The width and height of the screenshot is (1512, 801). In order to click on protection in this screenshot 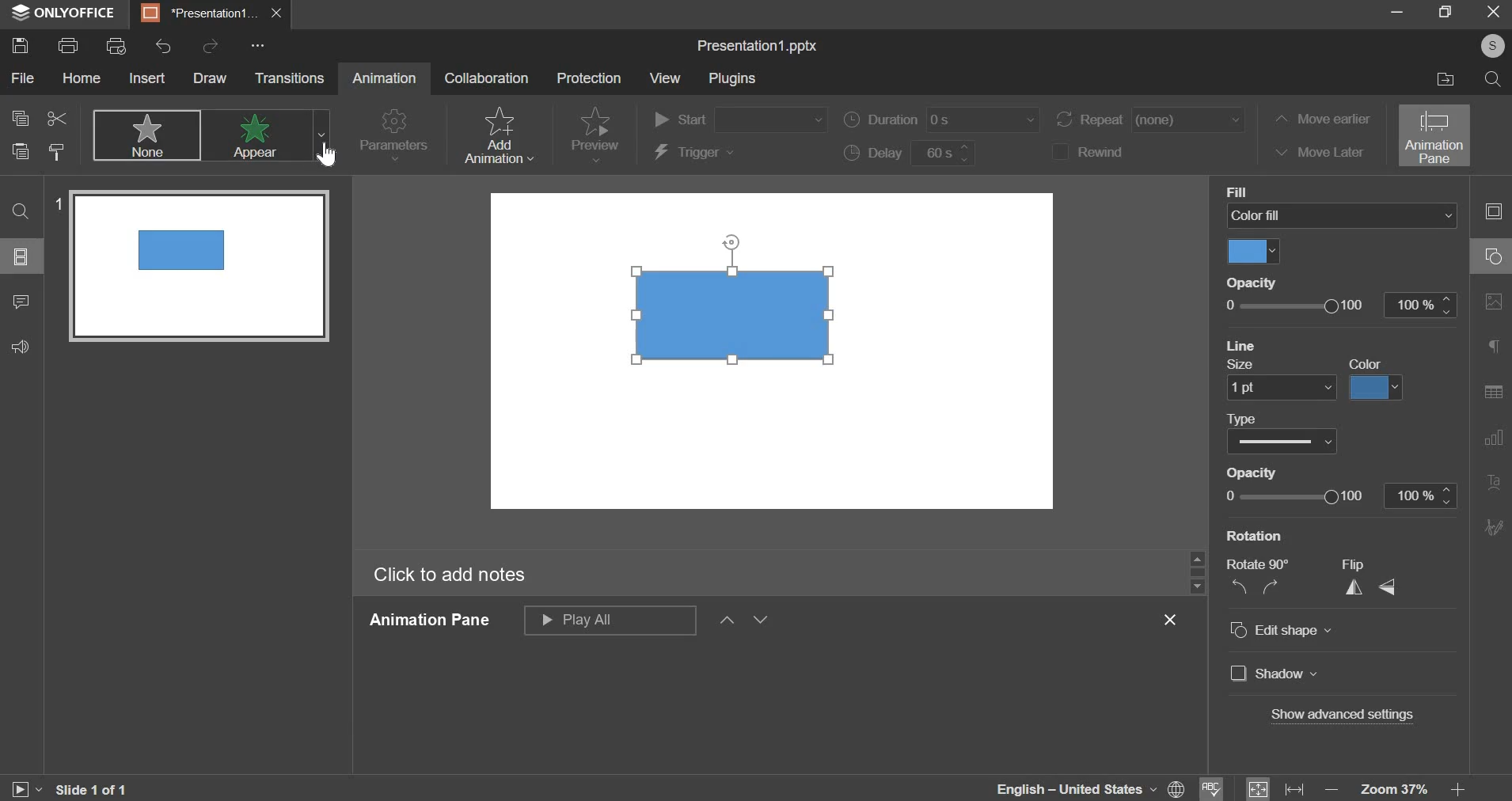, I will do `click(589, 78)`.